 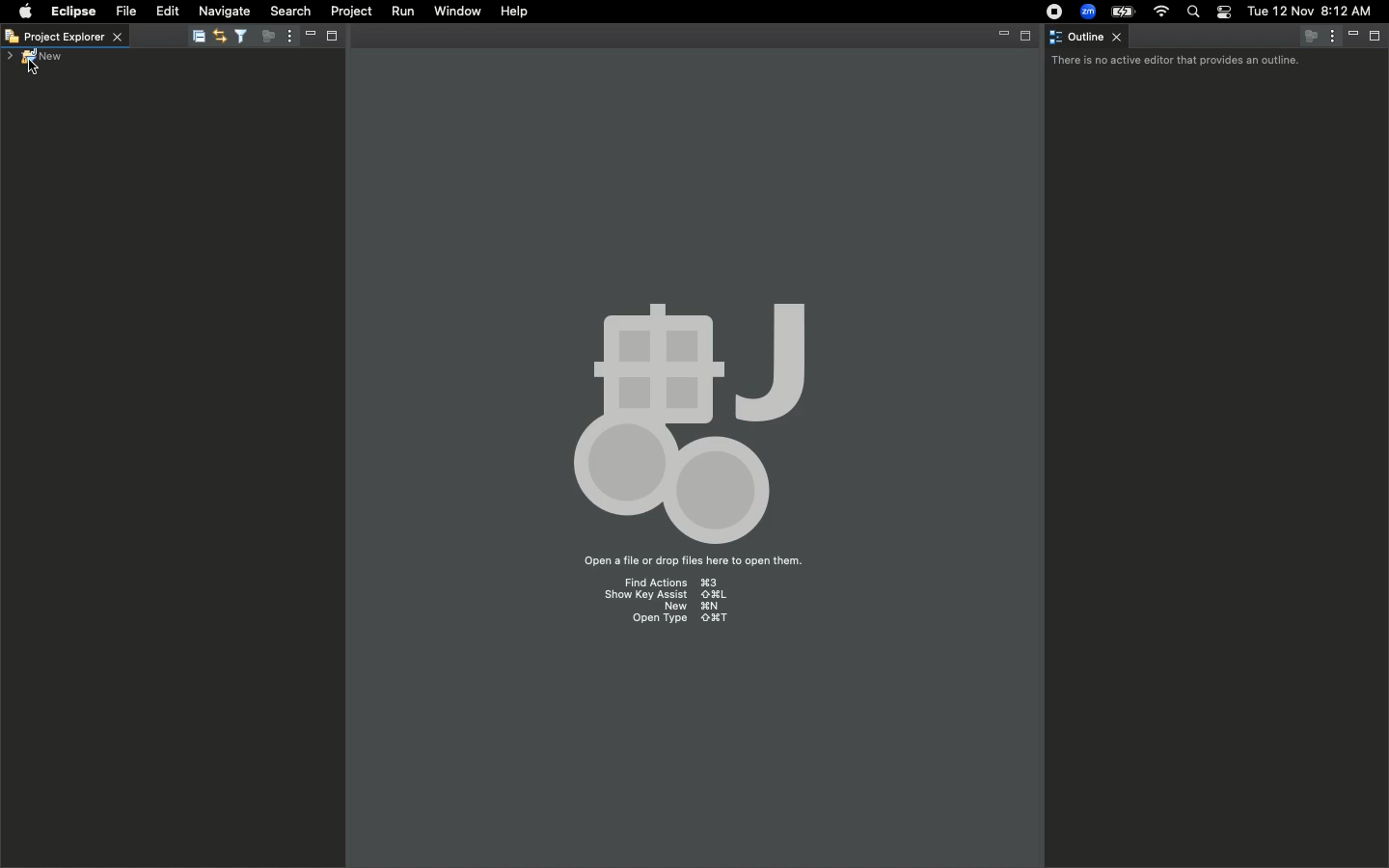 I want to click on Open type, so click(x=680, y=621).